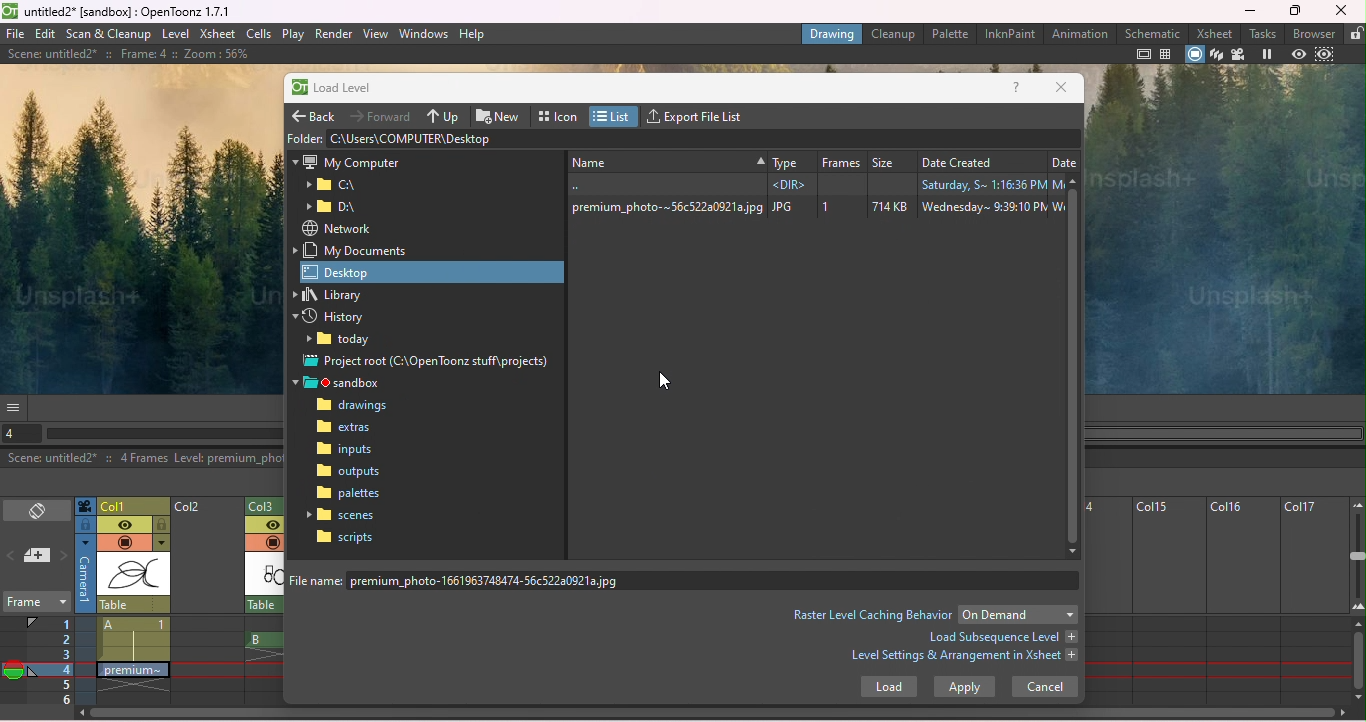 This screenshot has width=1366, height=722. What do you see at coordinates (64, 557) in the screenshot?
I see `Next memo` at bounding box center [64, 557].